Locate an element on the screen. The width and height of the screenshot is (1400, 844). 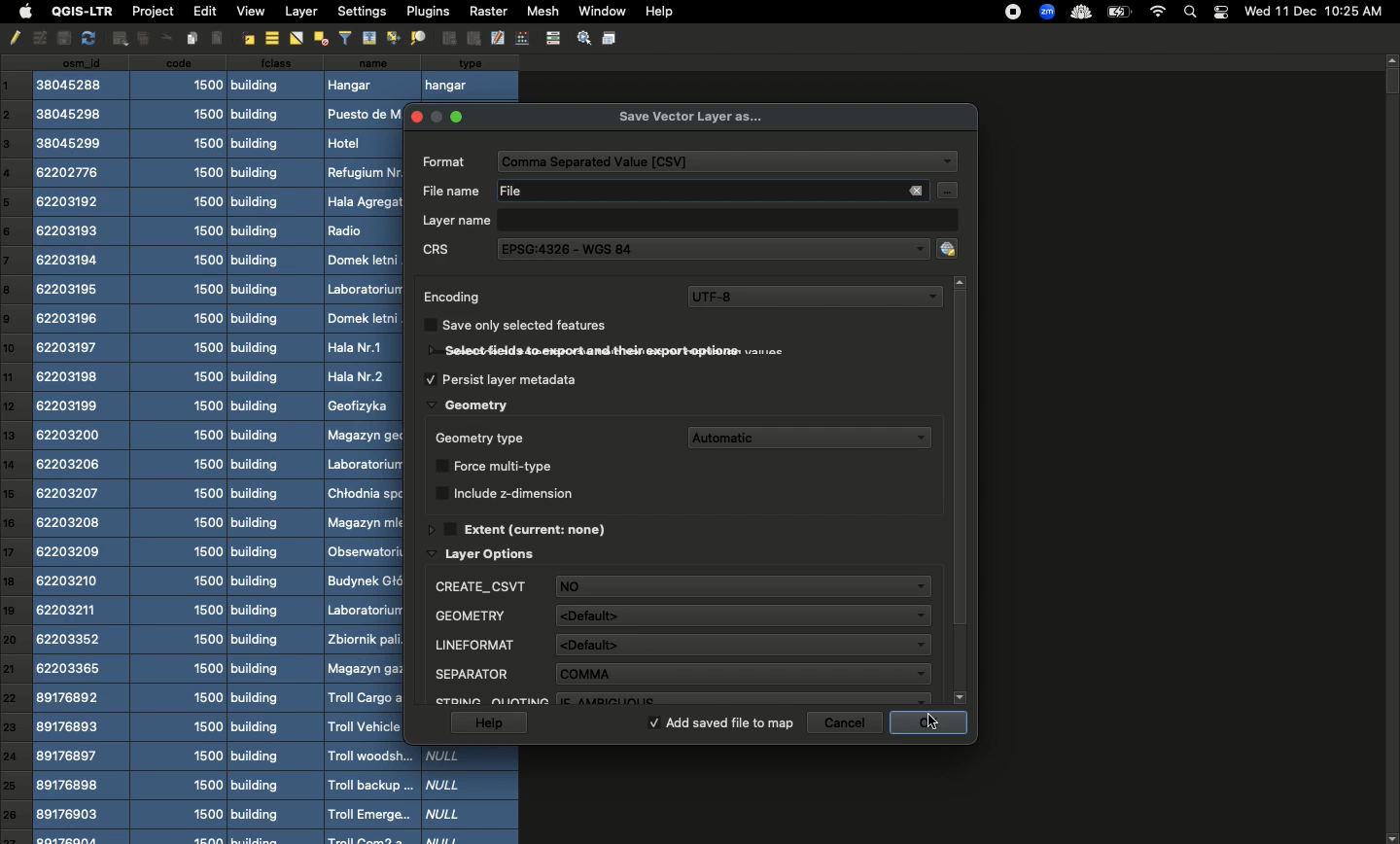
Automatic is located at coordinates (811, 433).